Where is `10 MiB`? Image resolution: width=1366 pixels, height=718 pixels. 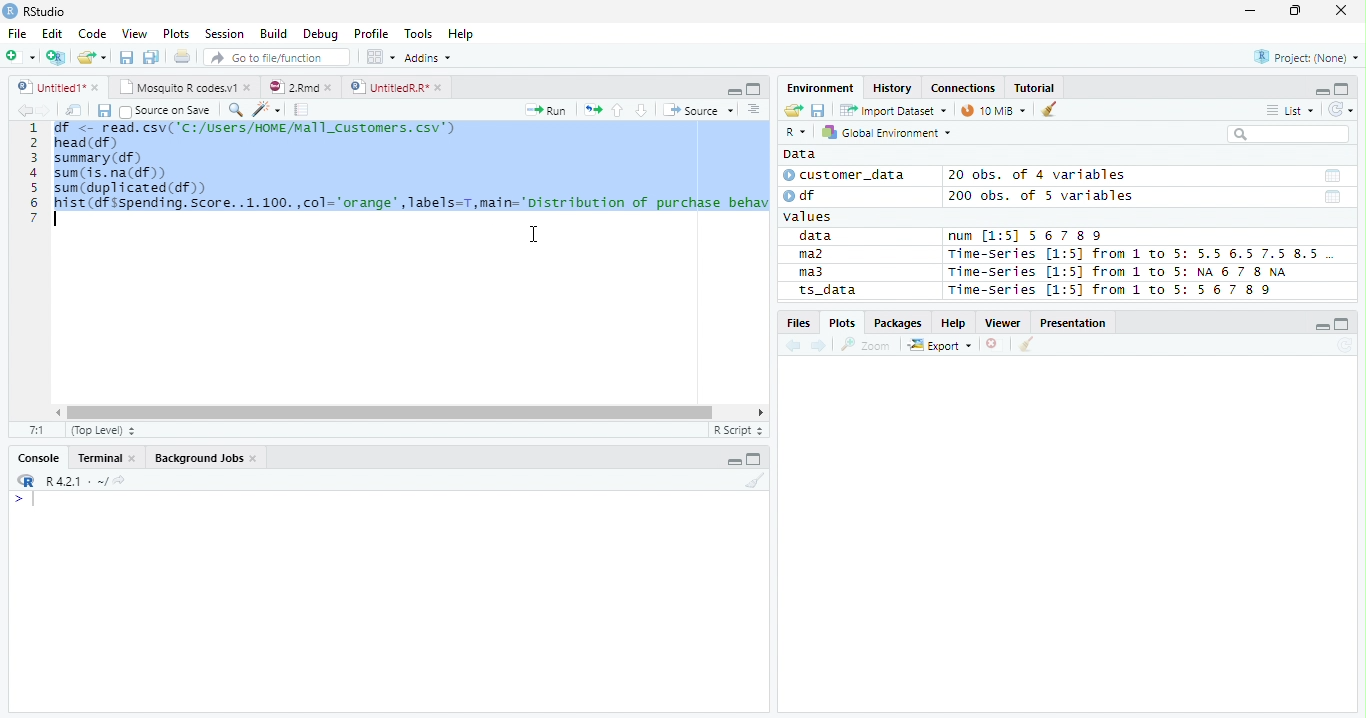
10 MiB is located at coordinates (995, 110).